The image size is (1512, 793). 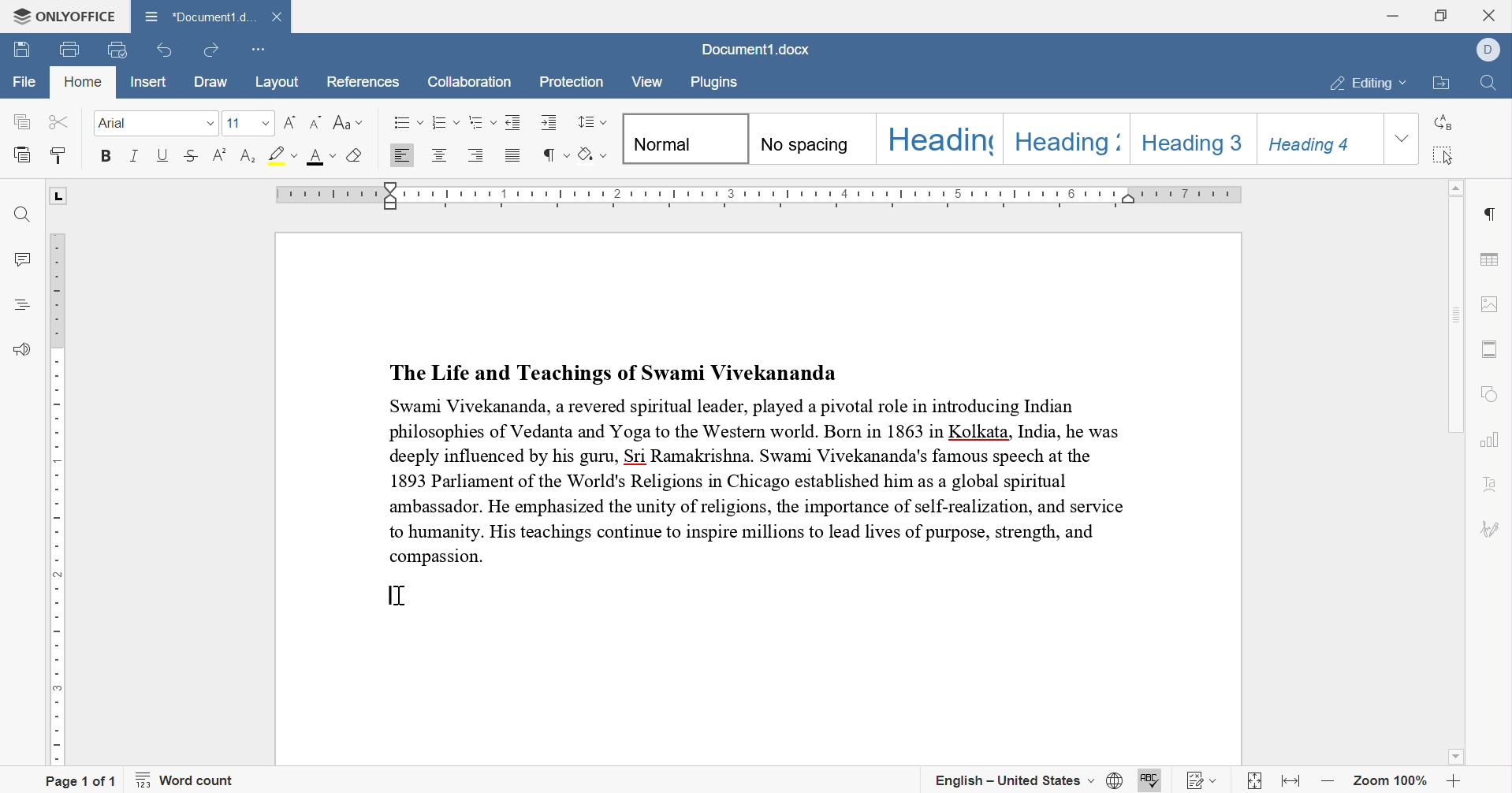 What do you see at coordinates (283, 154) in the screenshot?
I see `highlight color` at bounding box center [283, 154].